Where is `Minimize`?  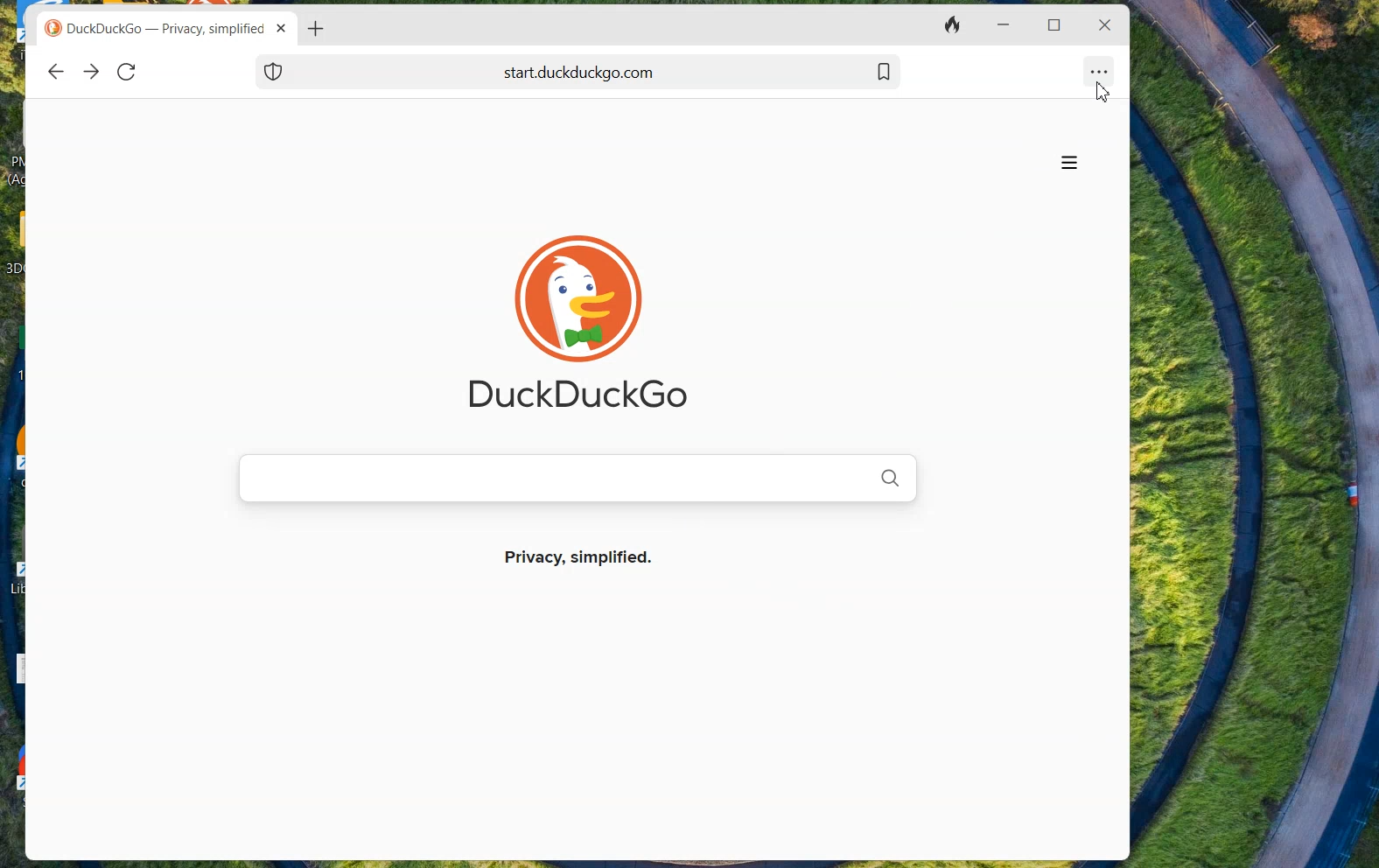 Minimize is located at coordinates (1001, 26).